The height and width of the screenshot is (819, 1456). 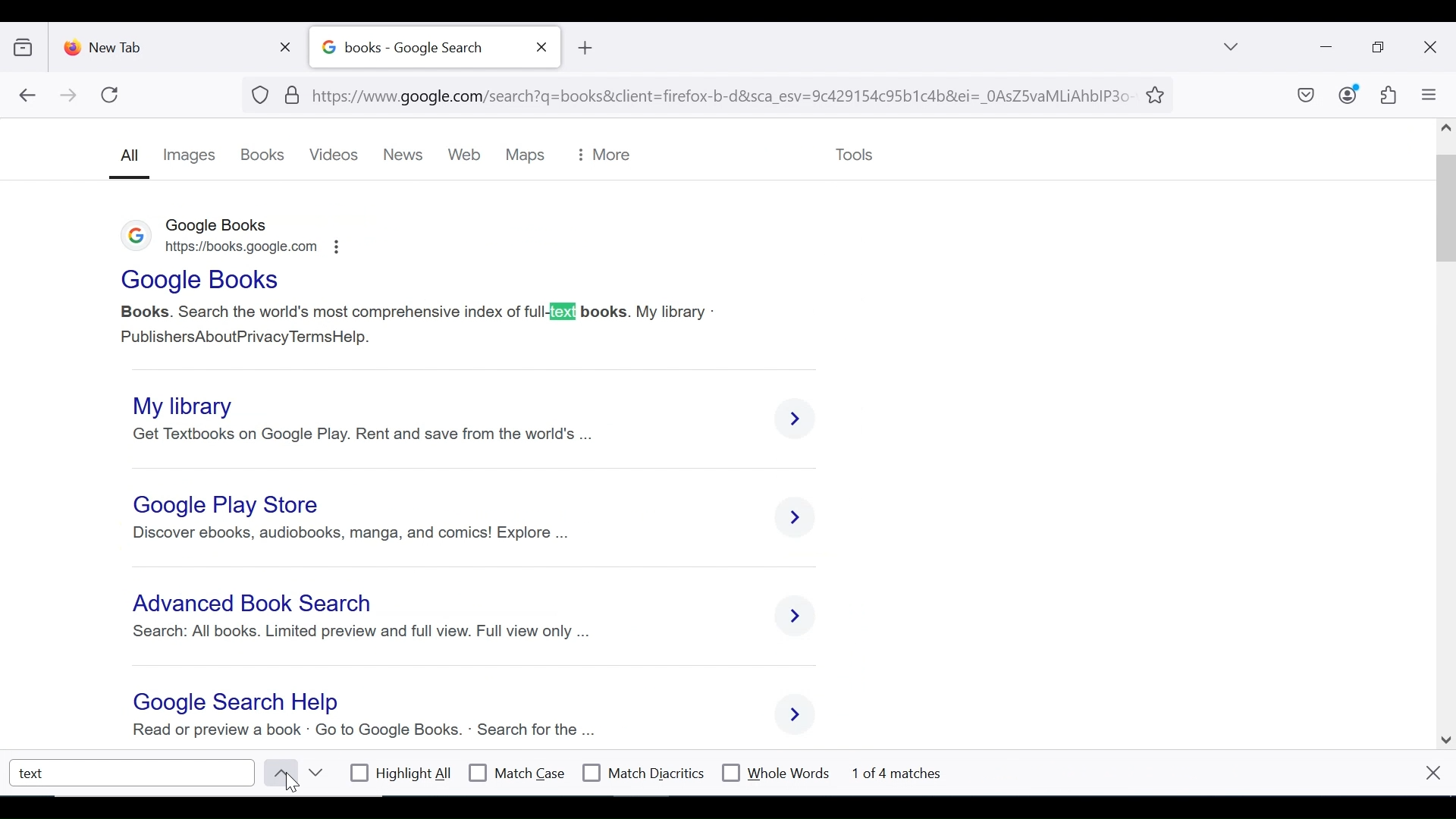 I want to click on https://books.google.com, so click(x=249, y=250).